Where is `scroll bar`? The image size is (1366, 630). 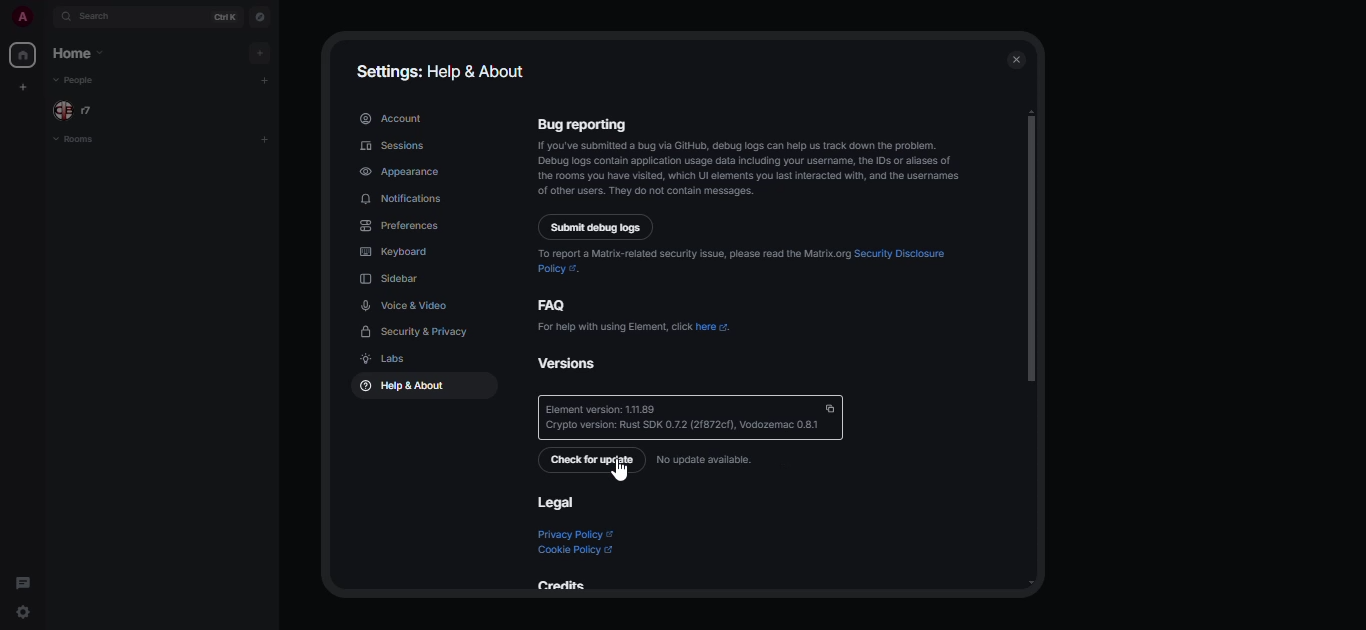
scroll bar is located at coordinates (1031, 247).